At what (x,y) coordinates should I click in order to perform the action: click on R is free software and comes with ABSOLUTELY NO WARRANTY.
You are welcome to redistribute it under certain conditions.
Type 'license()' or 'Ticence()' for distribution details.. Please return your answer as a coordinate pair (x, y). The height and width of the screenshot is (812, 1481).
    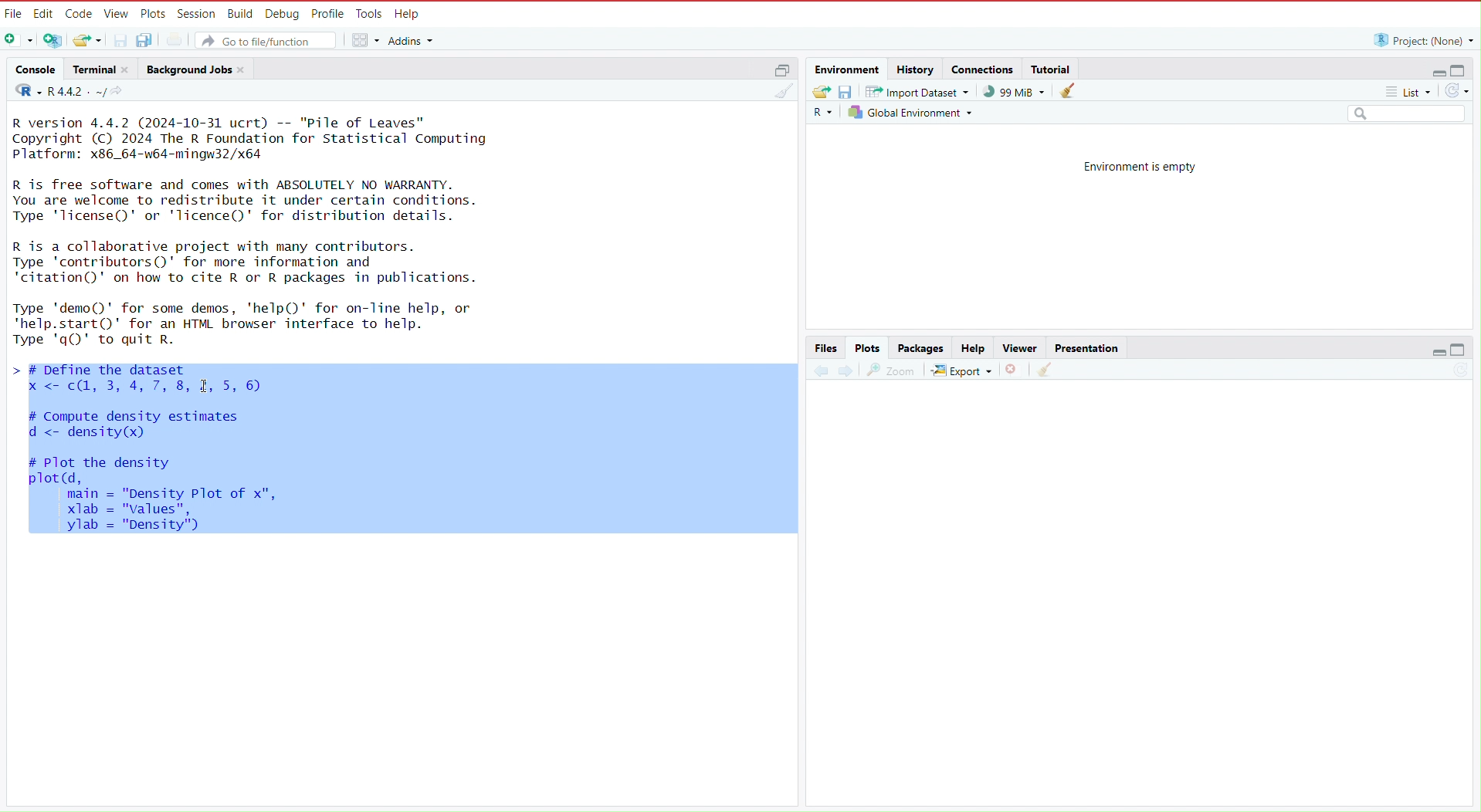
    Looking at the image, I should click on (253, 199).